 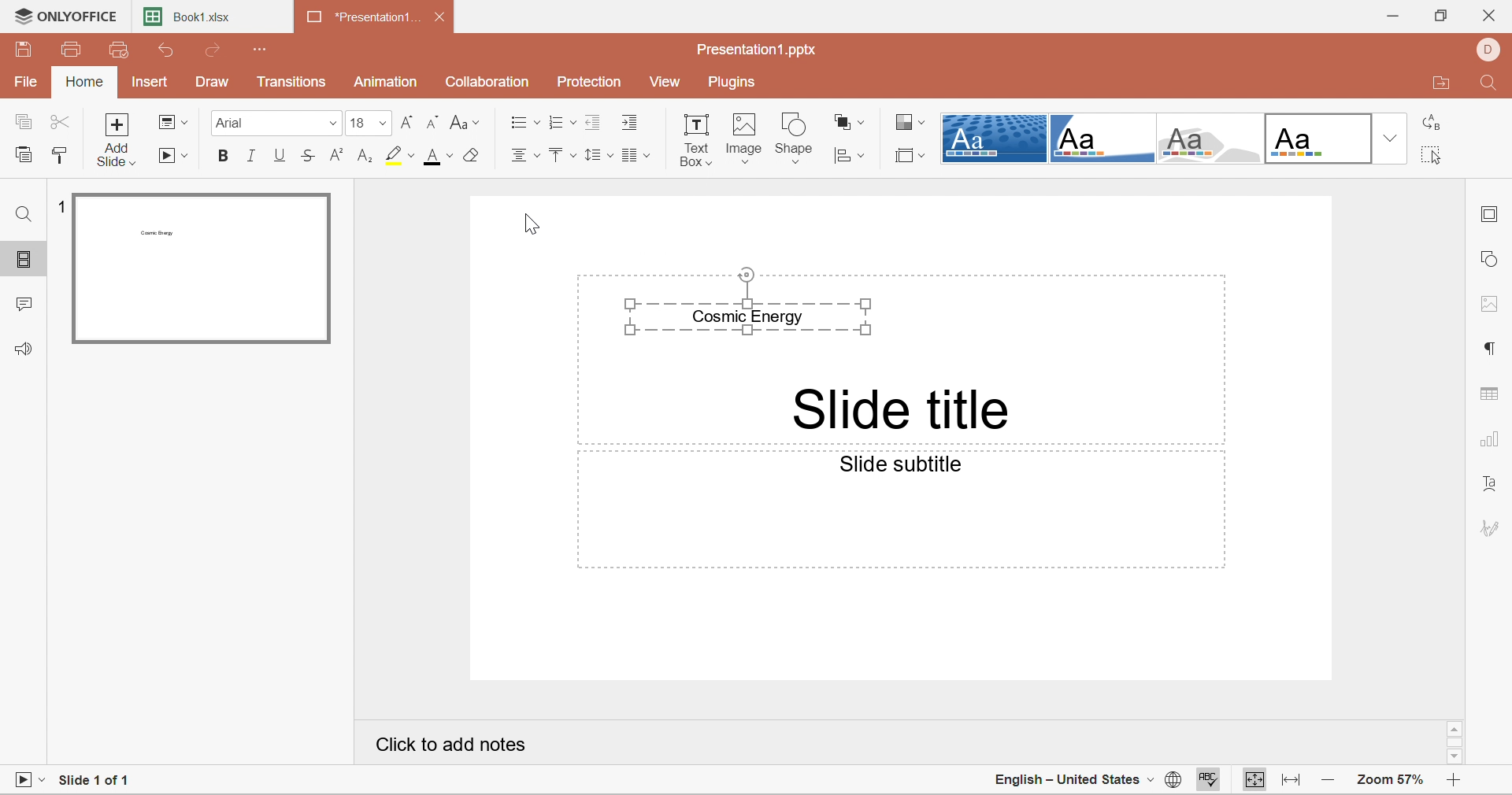 What do you see at coordinates (440, 157) in the screenshot?
I see `Font color` at bounding box center [440, 157].